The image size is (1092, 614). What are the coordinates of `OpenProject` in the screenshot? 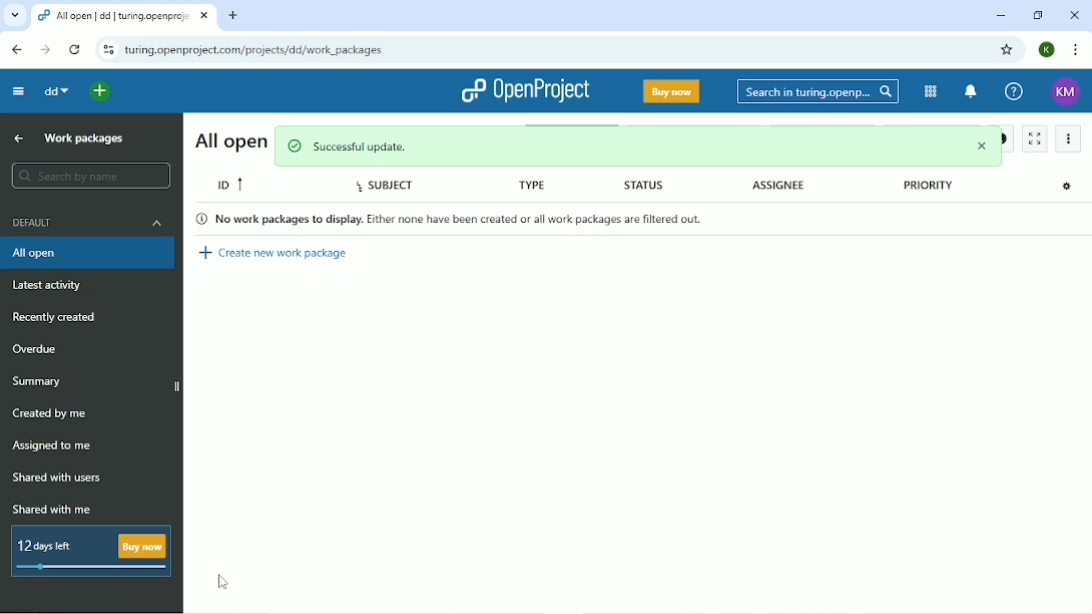 It's located at (528, 91).